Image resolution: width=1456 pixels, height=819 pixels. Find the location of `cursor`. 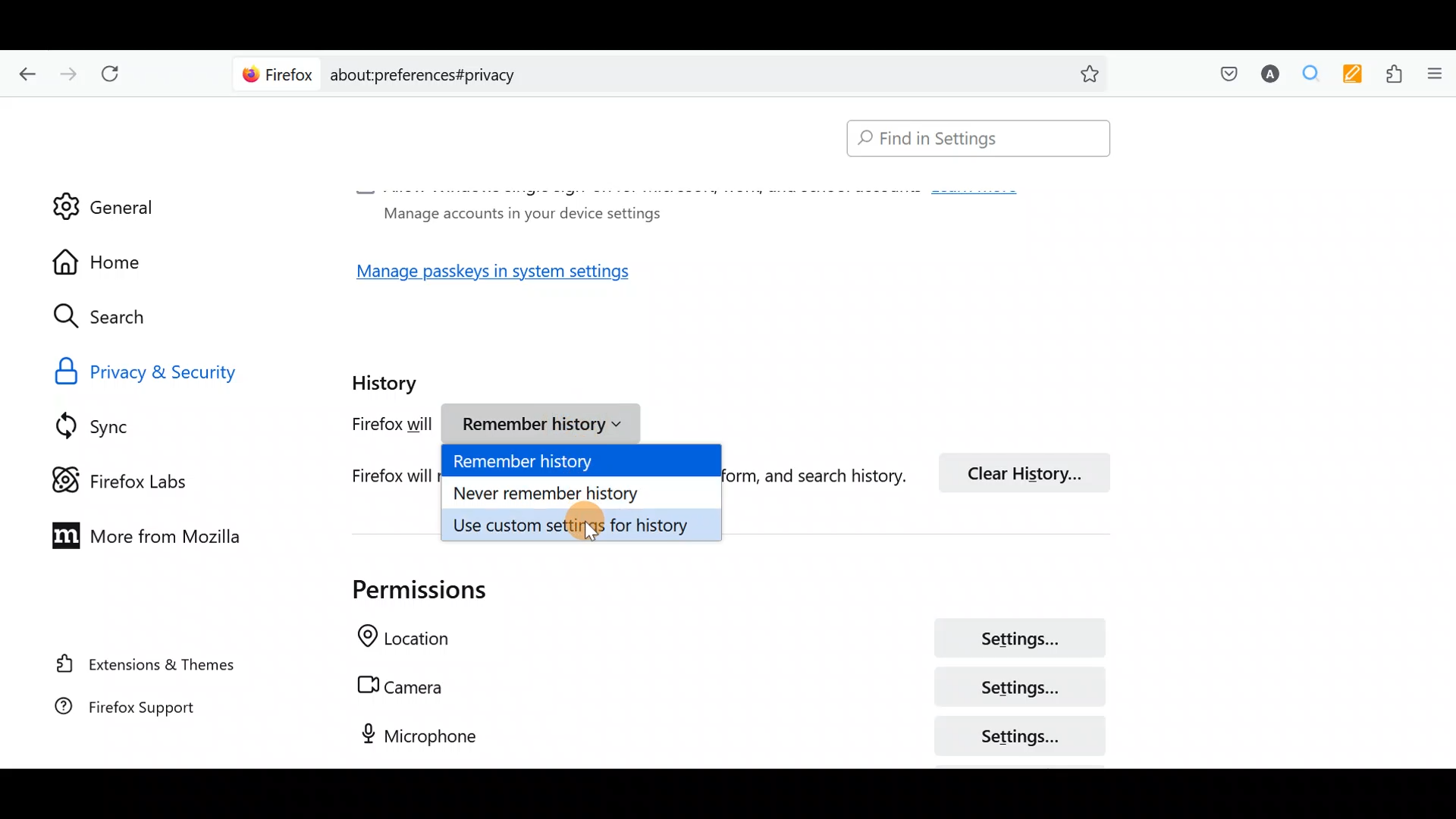

cursor is located at coordinates (591, 536).